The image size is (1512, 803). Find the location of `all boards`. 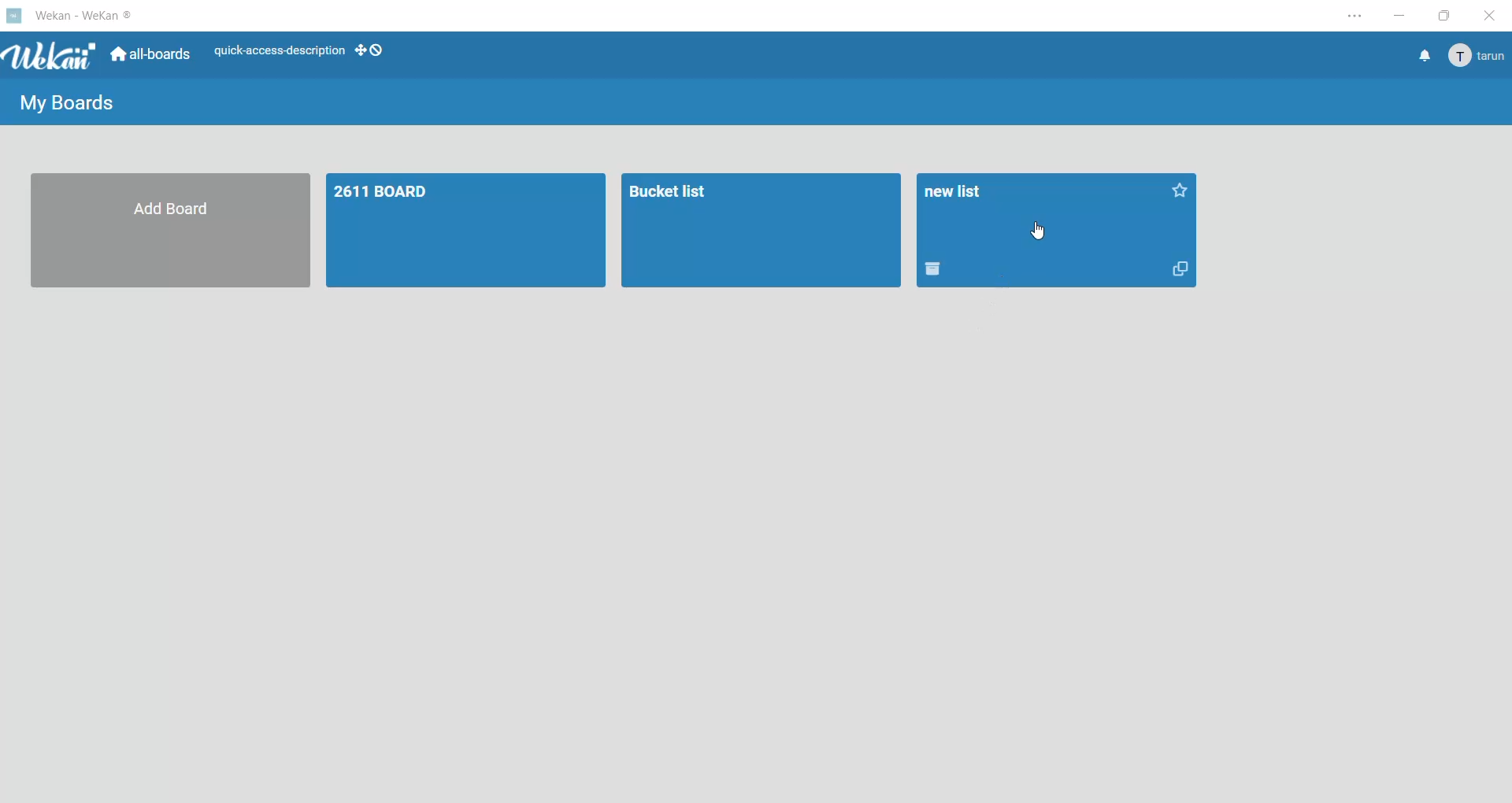

all boards is located at coordinates (152, 56).